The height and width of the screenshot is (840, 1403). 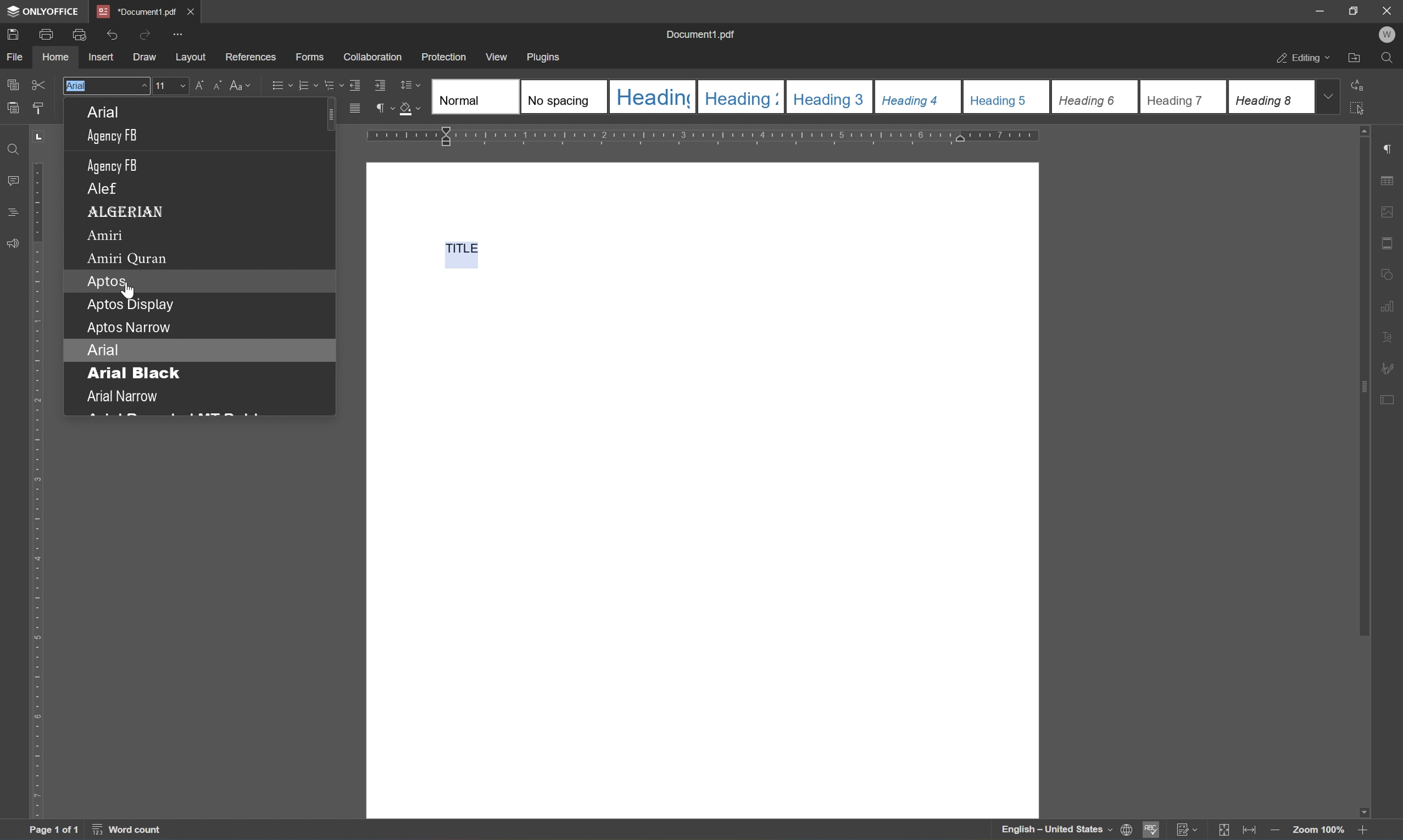 What do you see at coordinates (113, 136) in the screenshot?
I see `AgencyFB` at bounding box center [113, 136].